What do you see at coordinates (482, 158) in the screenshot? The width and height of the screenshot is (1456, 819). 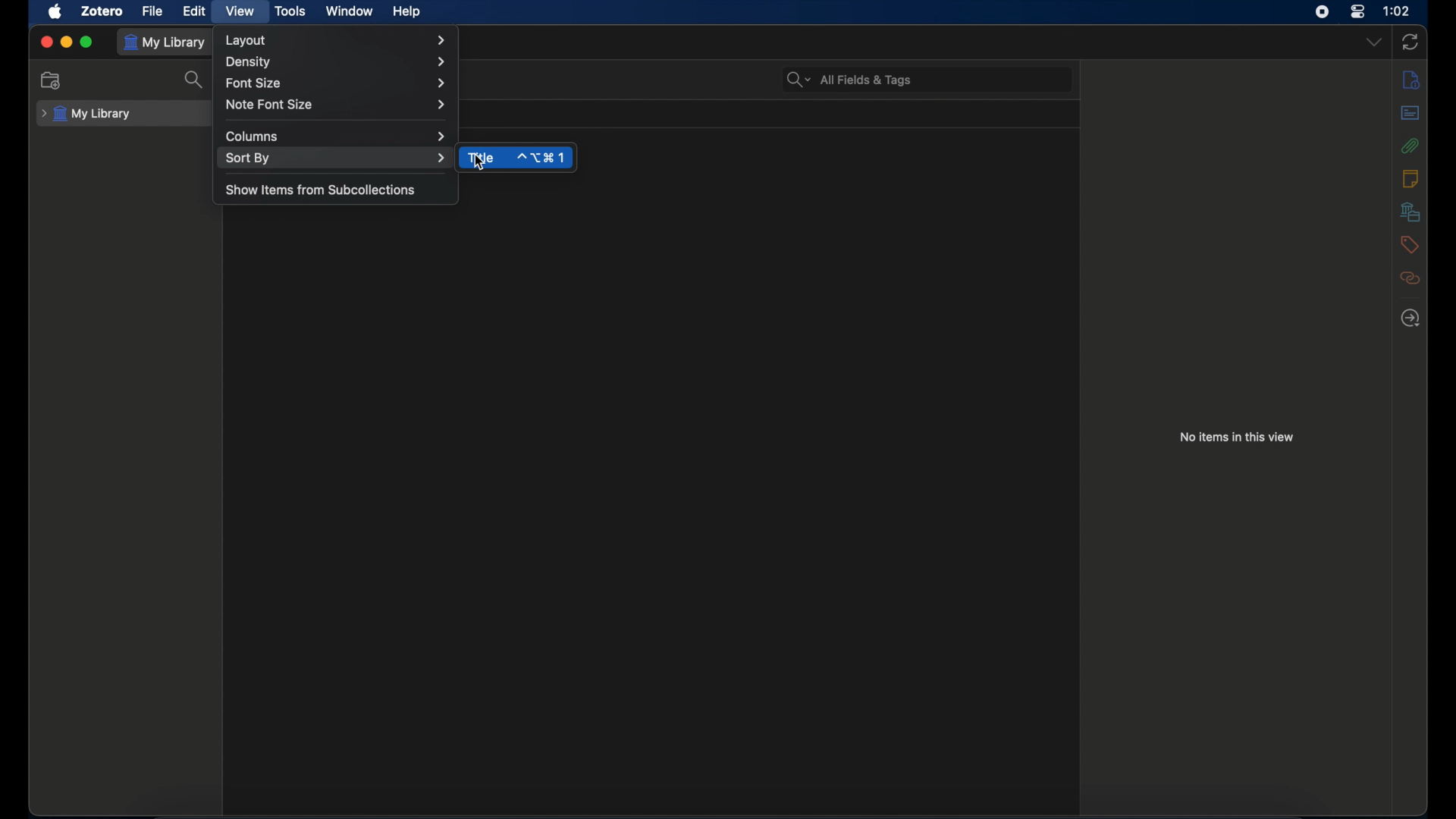 I see `title` at bounding box center [482, 158].